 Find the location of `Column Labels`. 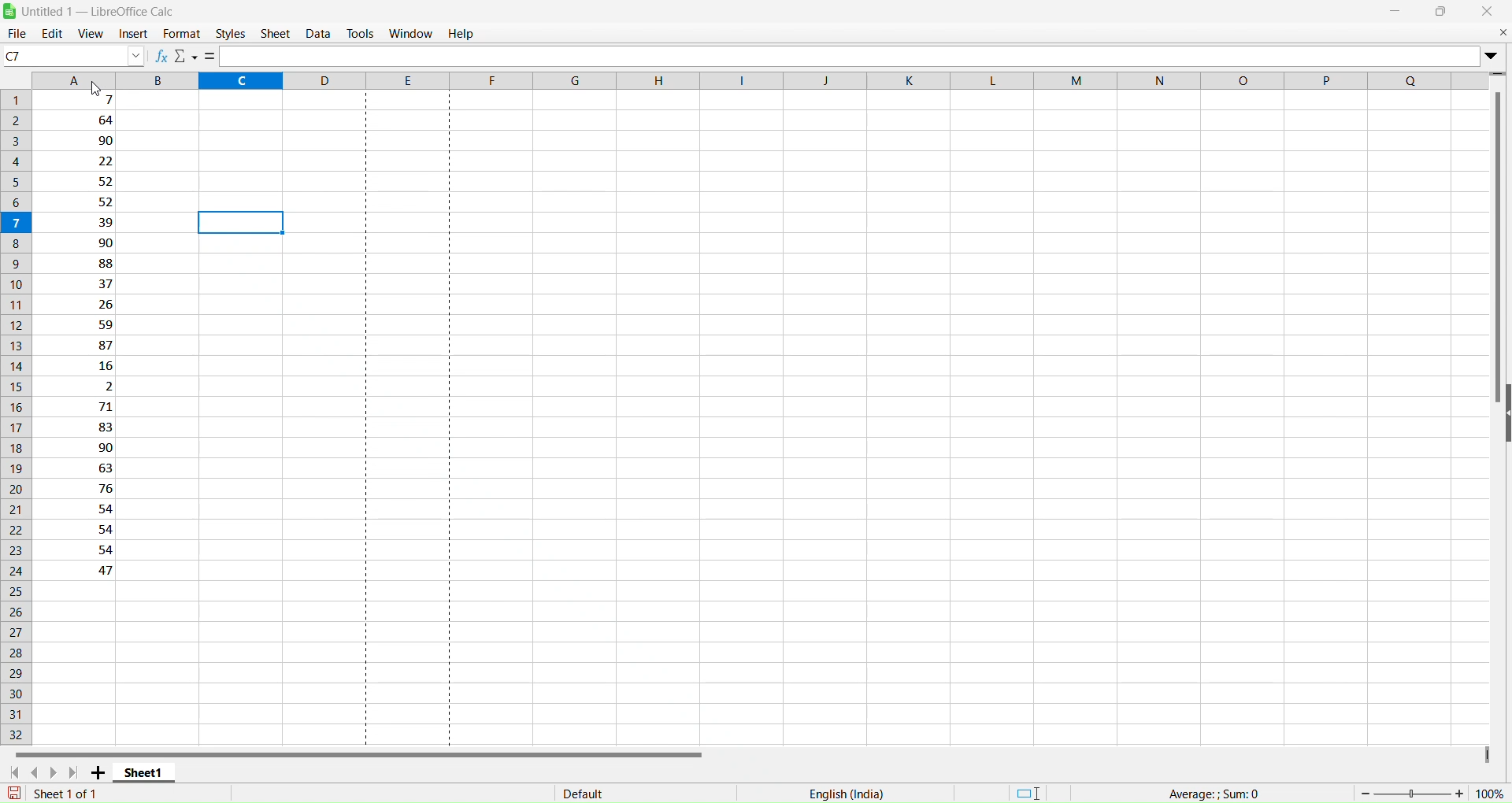

Column Labels is located at coordinates (758, 80).